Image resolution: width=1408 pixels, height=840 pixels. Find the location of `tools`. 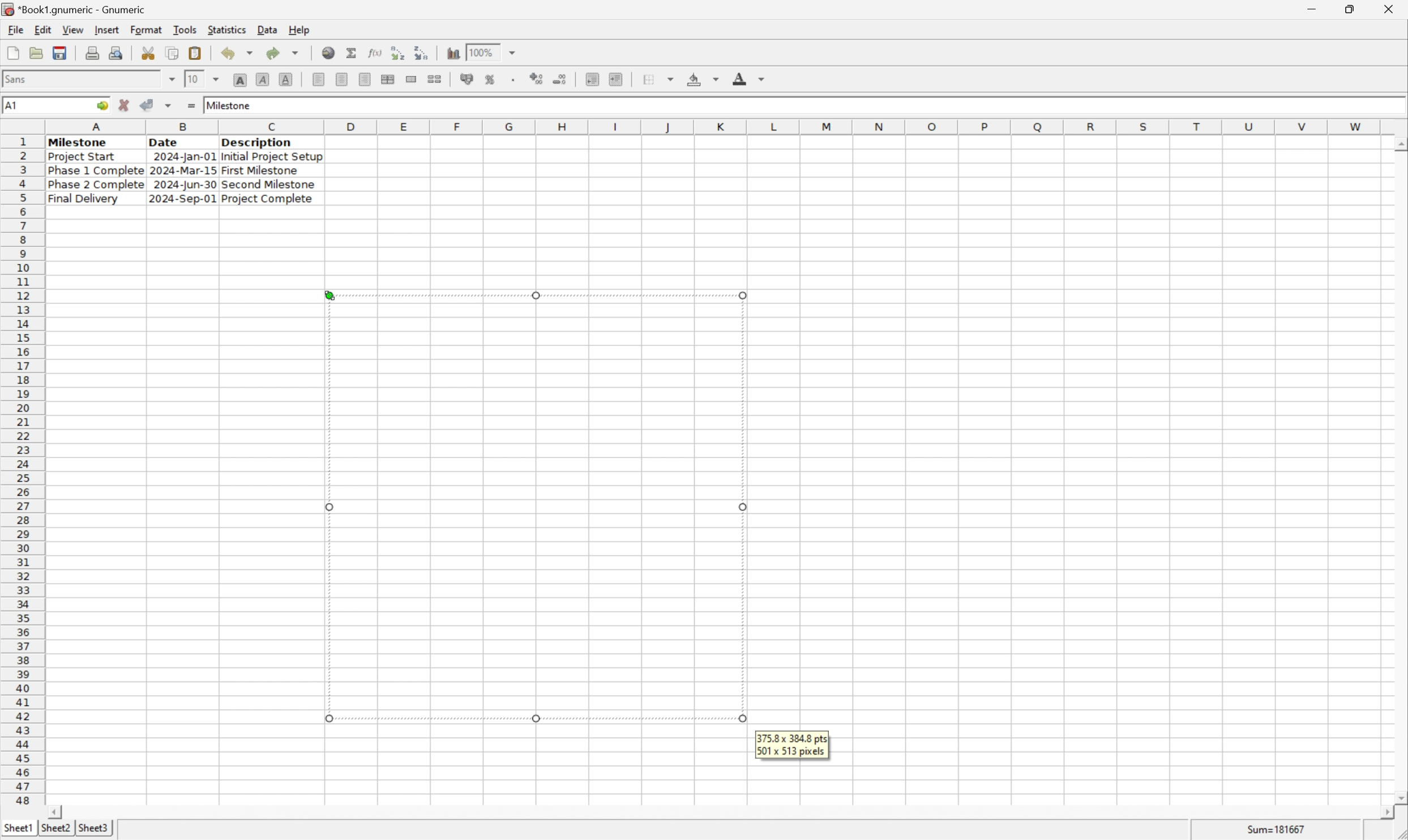

tools is located at coordinates (186, 29).